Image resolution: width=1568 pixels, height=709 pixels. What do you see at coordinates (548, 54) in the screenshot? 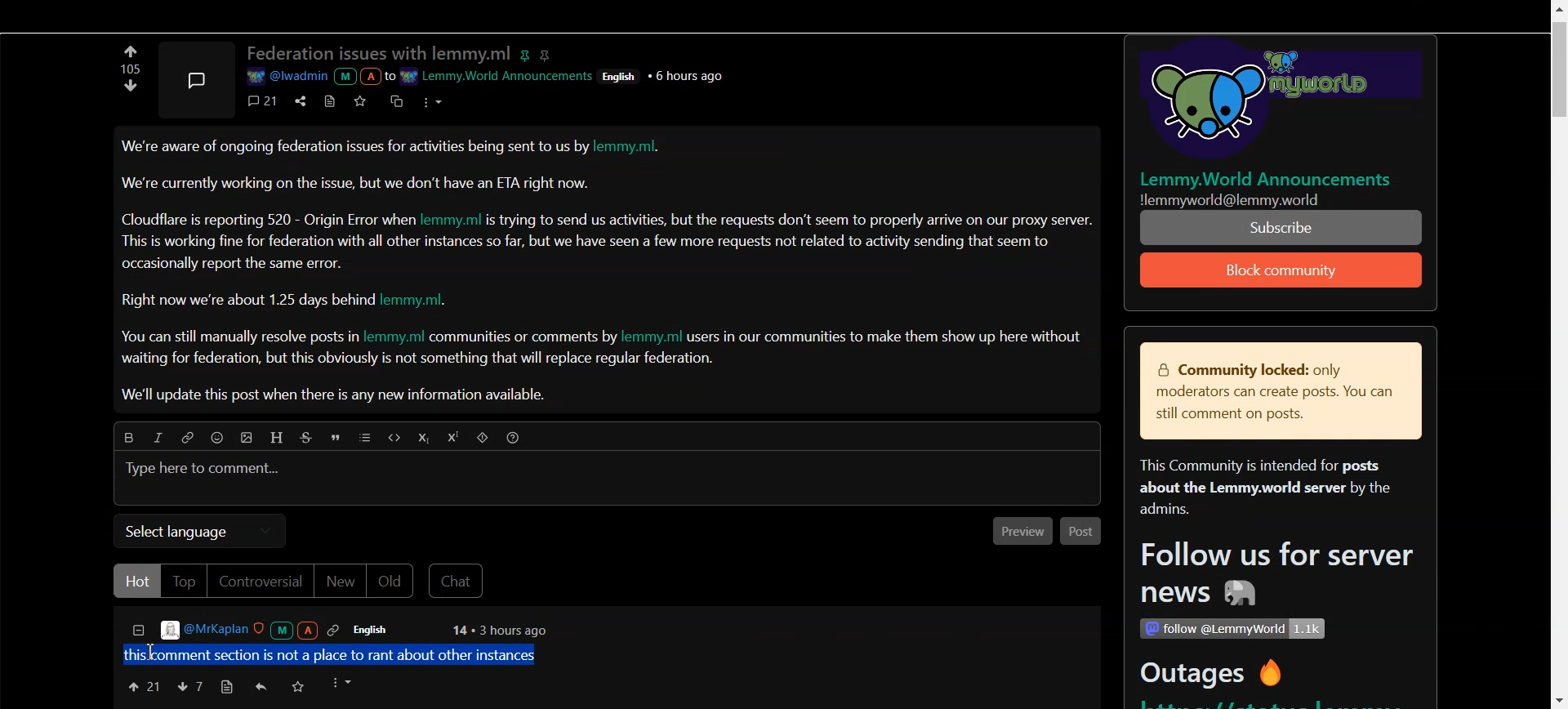
I see `hyperlink` at bounding box center [548, 54].